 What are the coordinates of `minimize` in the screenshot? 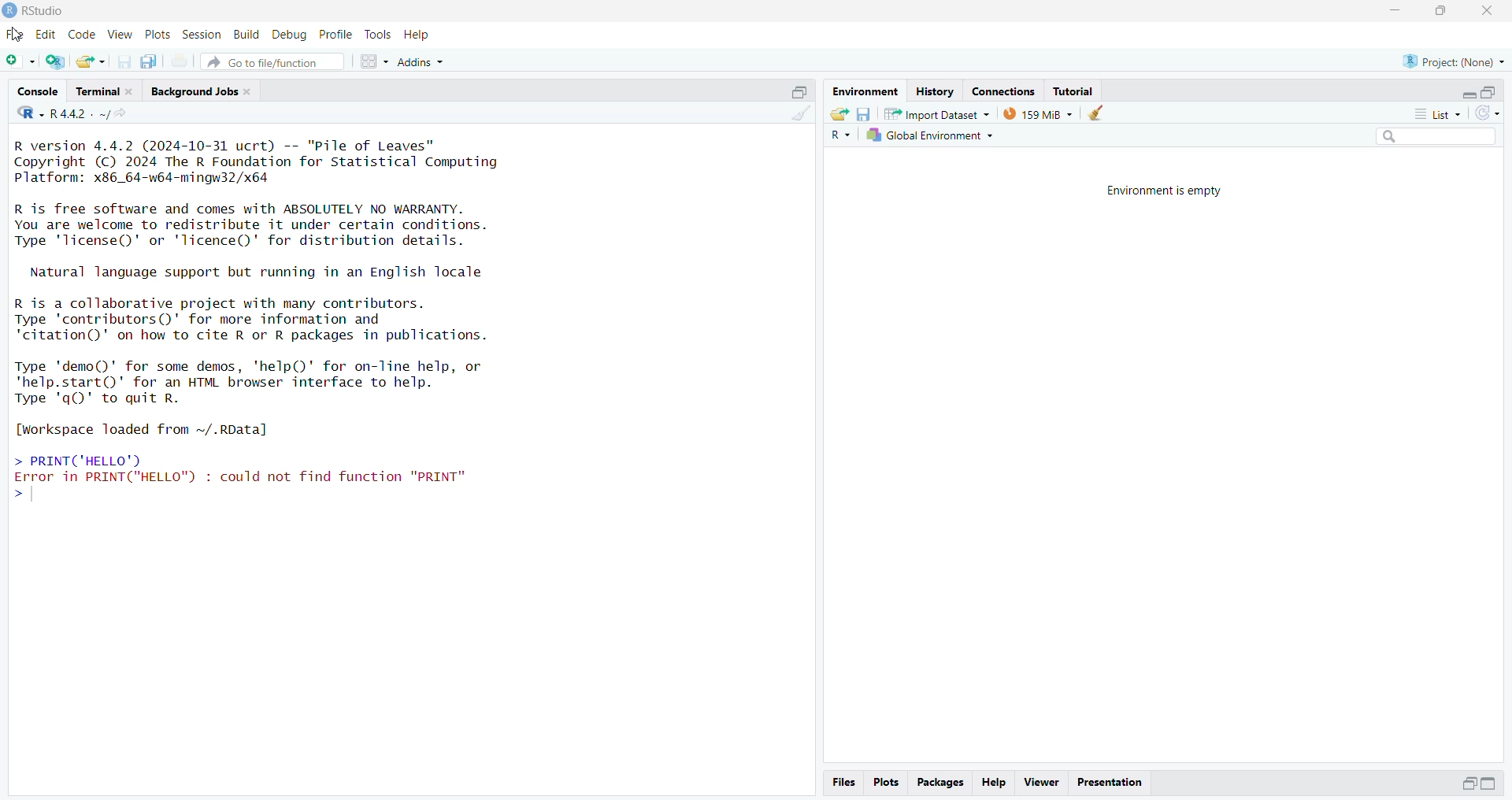 It's located at (1395, 12).